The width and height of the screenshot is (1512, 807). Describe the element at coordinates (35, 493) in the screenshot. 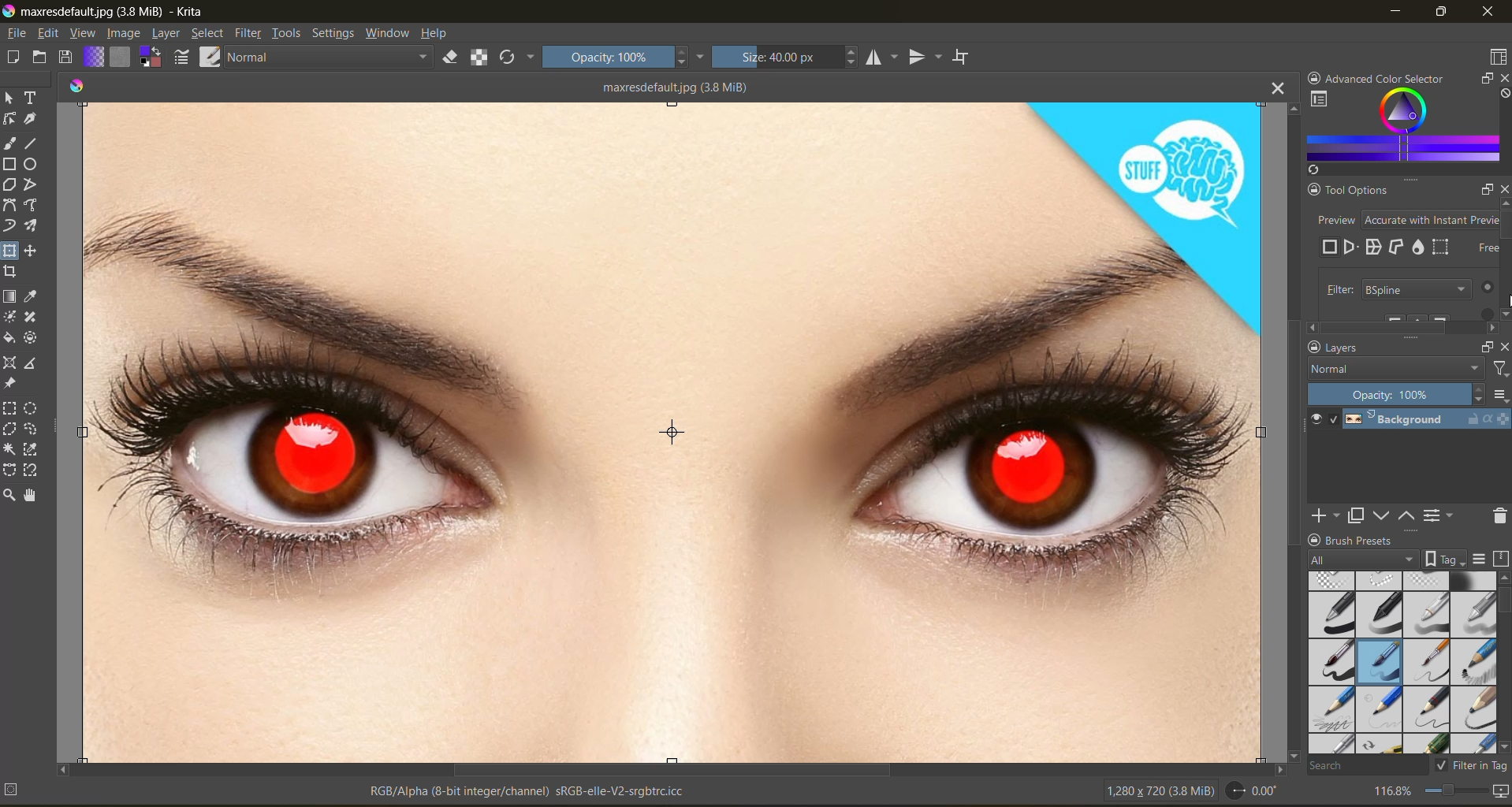

I see `tool` at that location.